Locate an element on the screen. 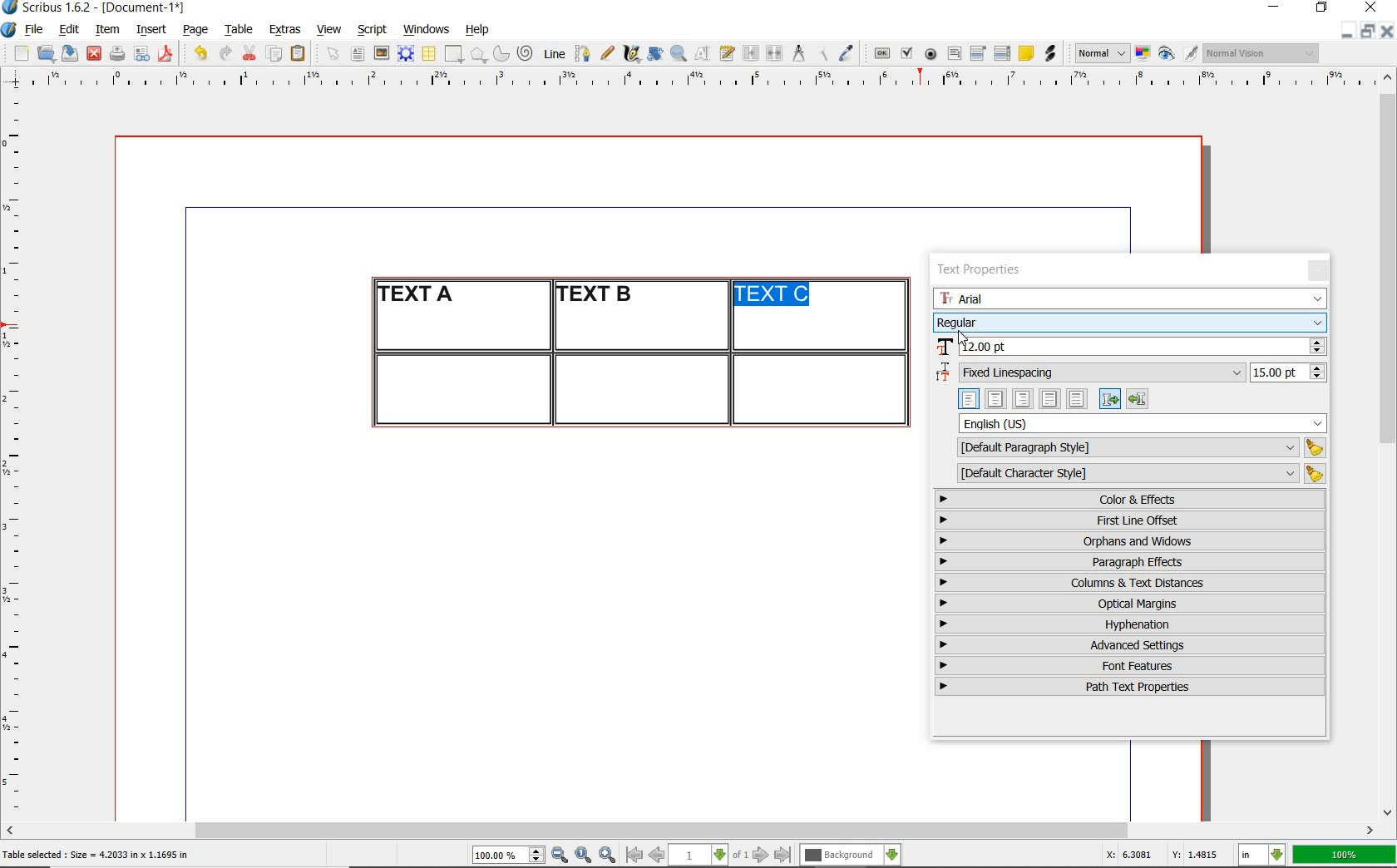 The width and height of the screenshot is (1397, 868). redo is located at coordinates (224, 52).